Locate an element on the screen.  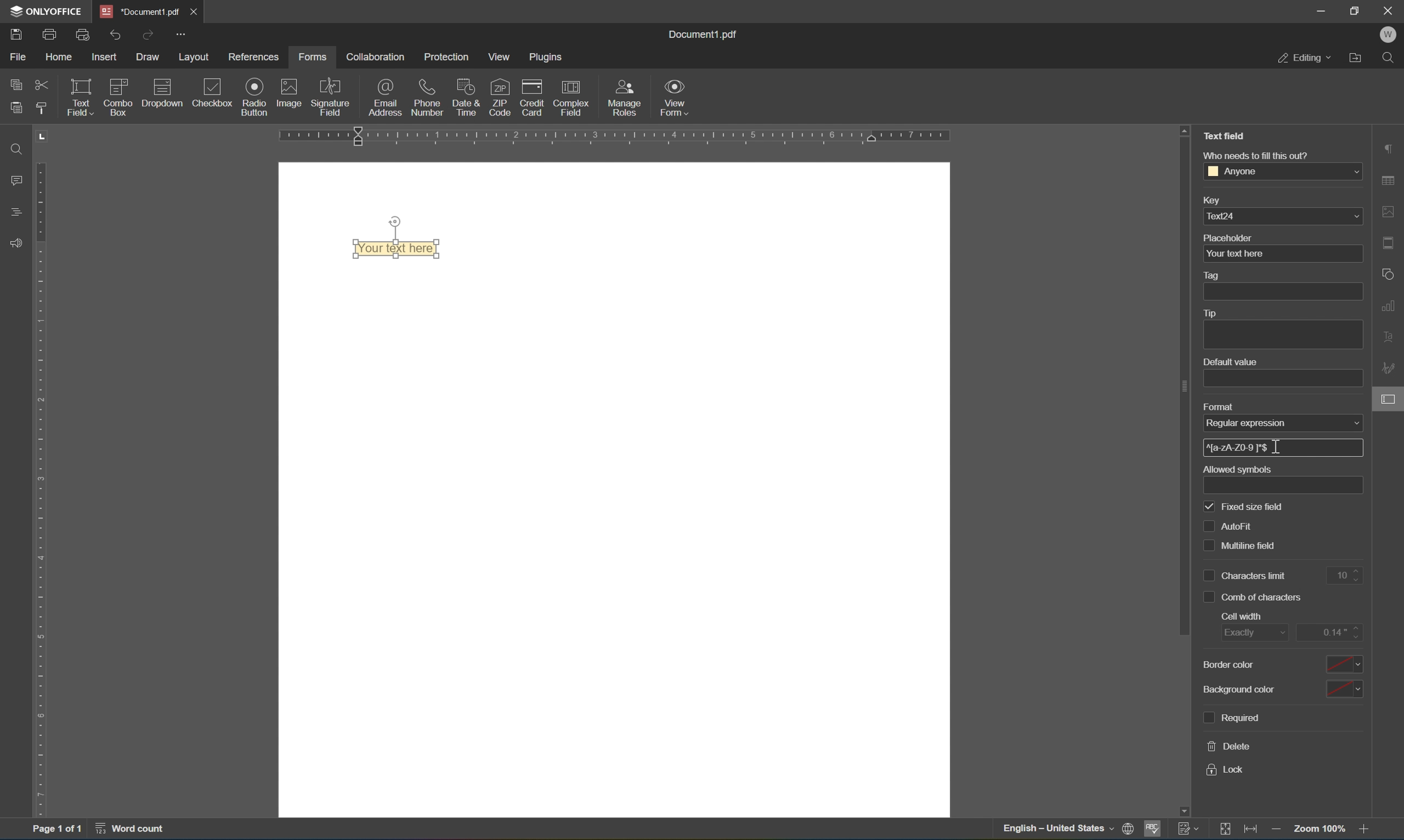
fit to width is located at coordinates (1252, 831).